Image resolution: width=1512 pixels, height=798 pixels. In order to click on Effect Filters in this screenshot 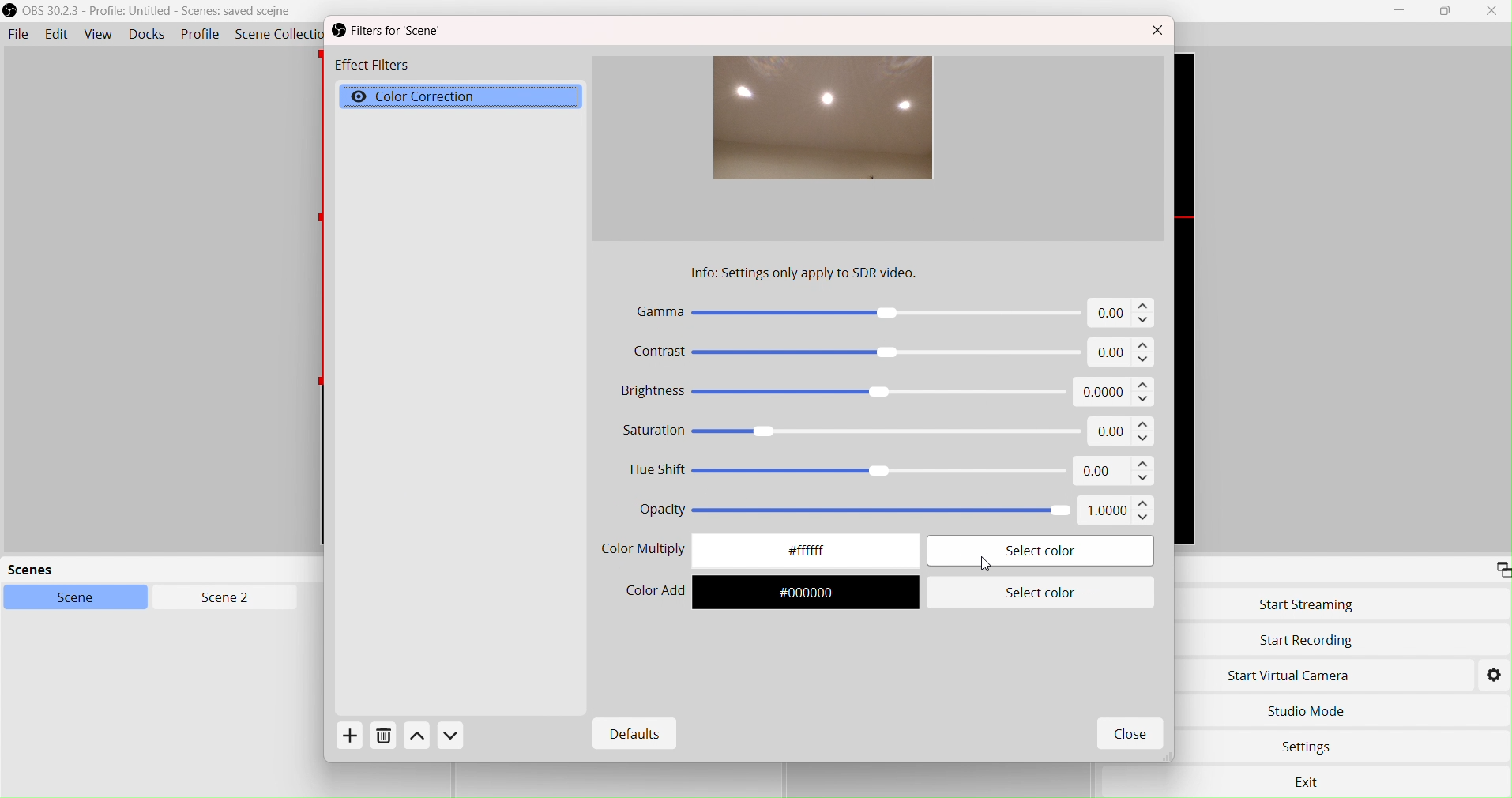, I will do `click(371, 67)`.